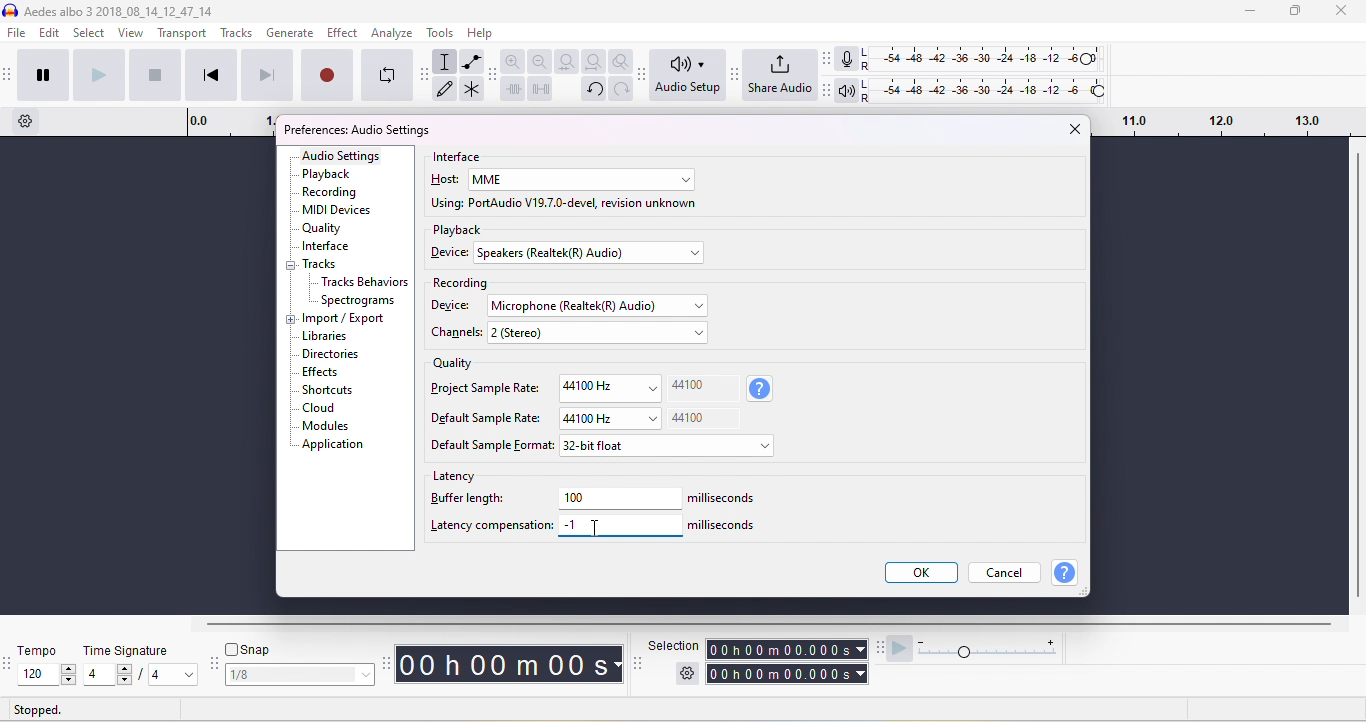  What do you see at coordinates (457, 475) in the screenshot?
I see `latency` at bounding box center [457, 475].